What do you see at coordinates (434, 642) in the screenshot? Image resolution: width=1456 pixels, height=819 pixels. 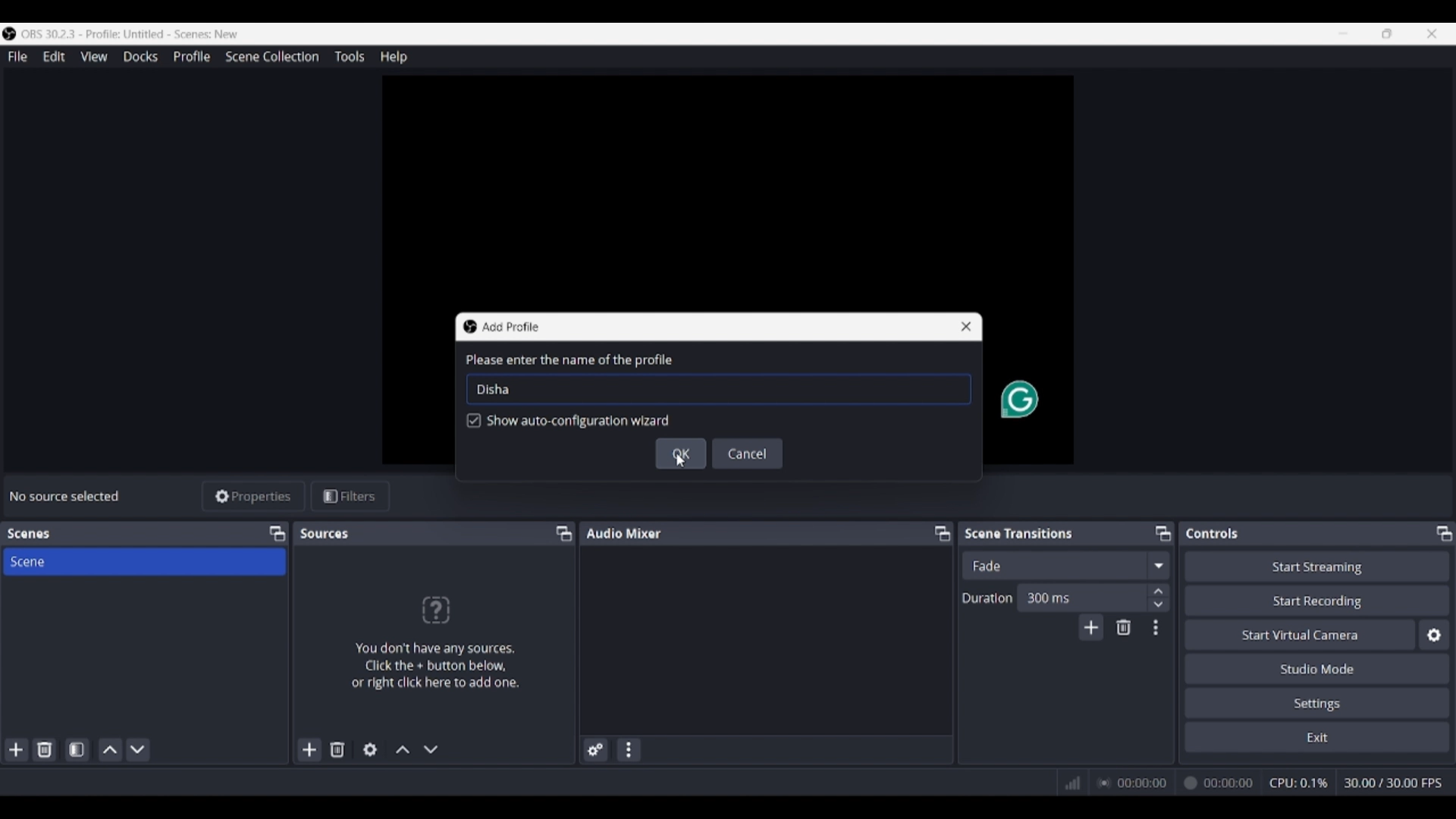 I see `Panel logo and text` at bounding box center [434, 642].